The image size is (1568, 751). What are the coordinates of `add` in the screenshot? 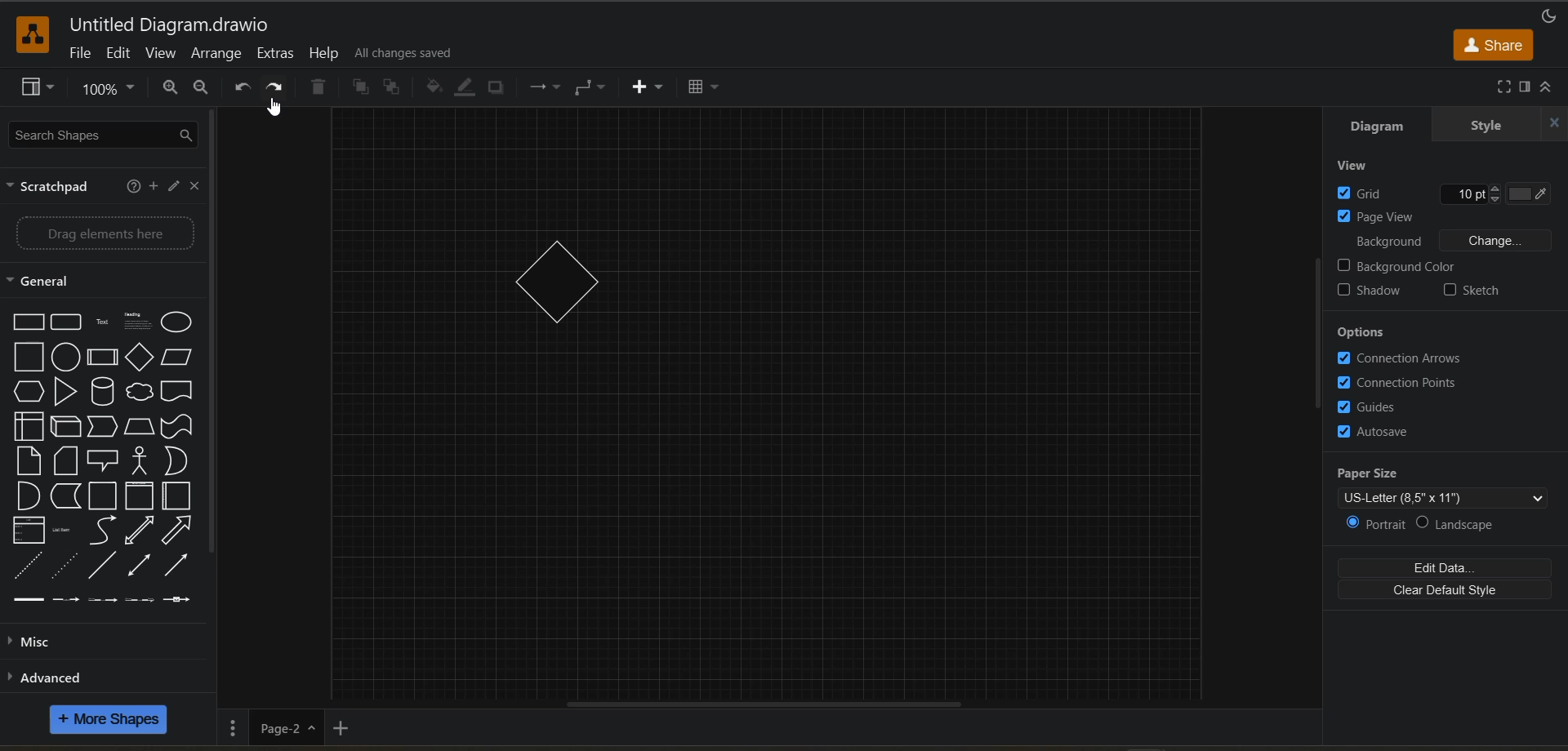 It's located at (153, 187).